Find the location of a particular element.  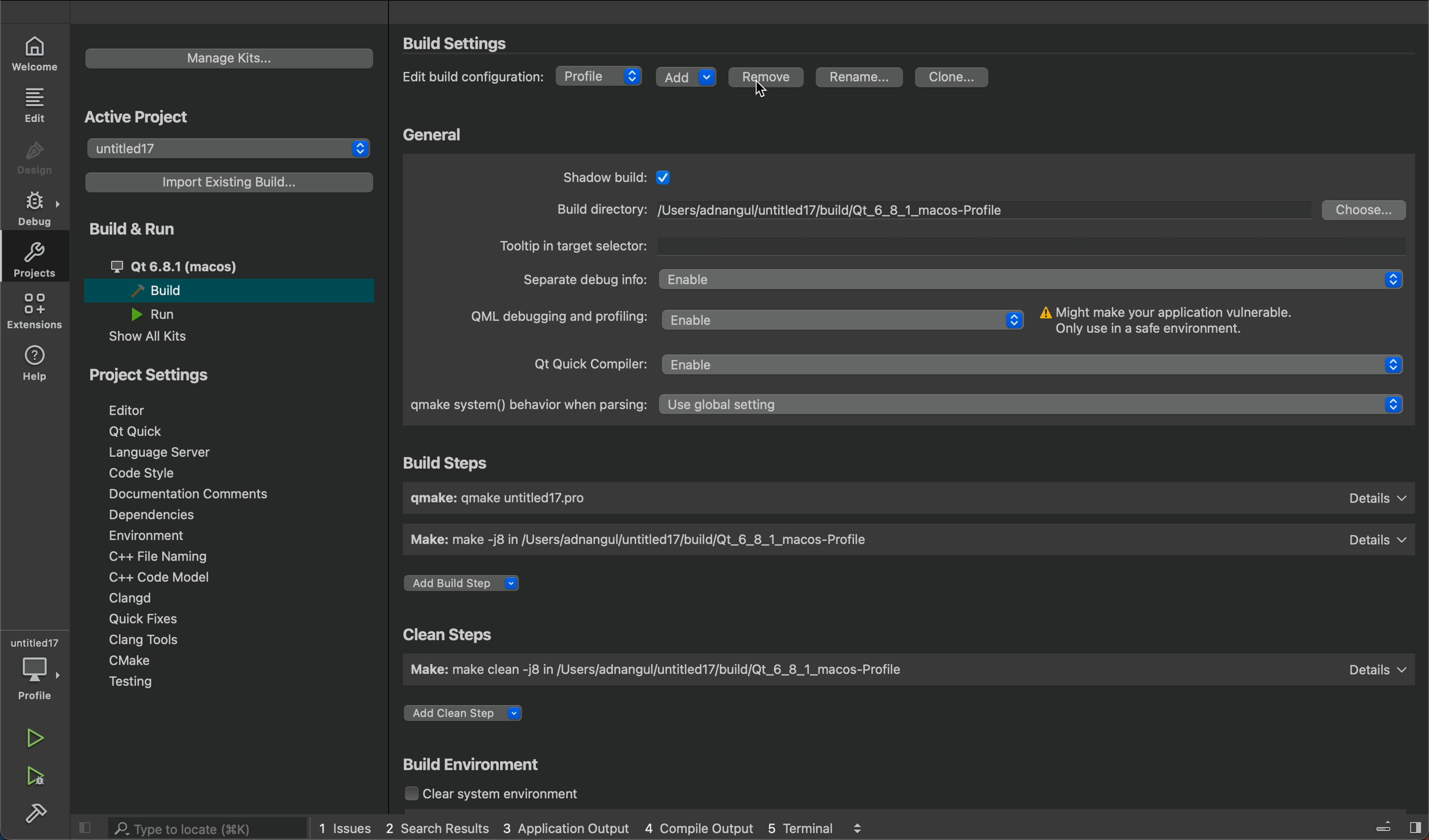

file path is located at coordinates (828, 211).